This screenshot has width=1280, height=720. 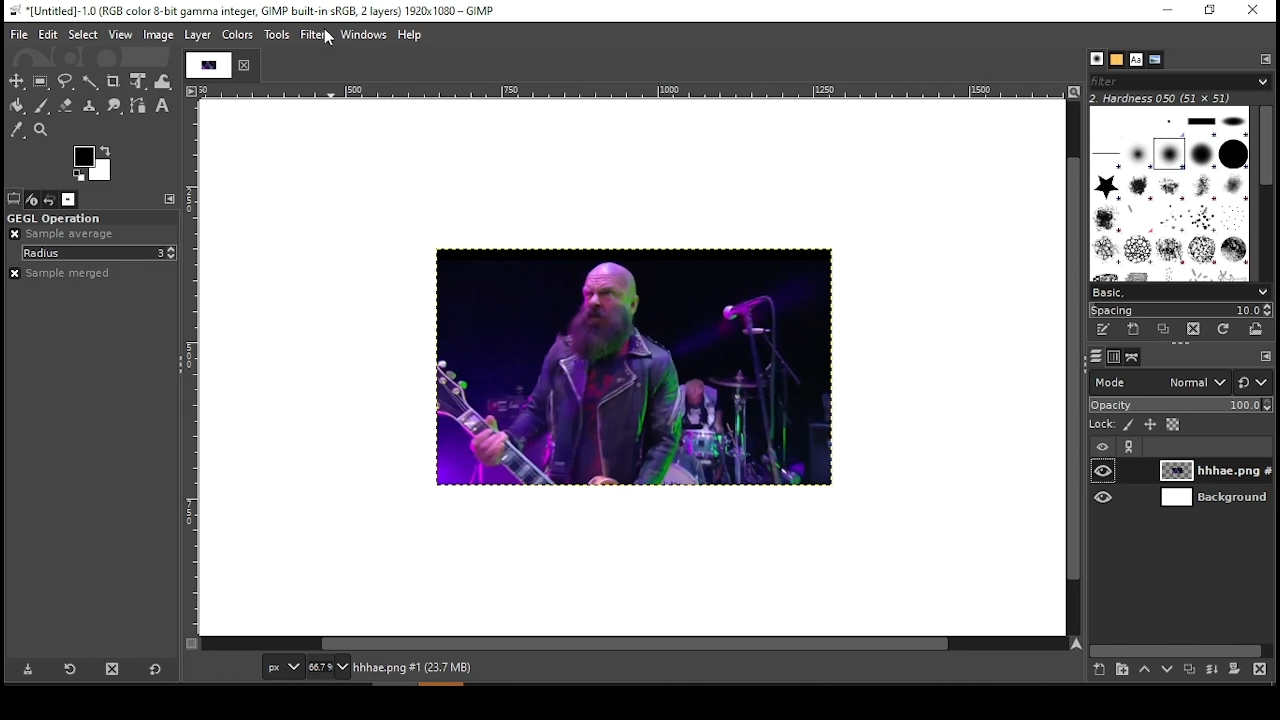 What do you see at coordinates (1134, 356) in the screenshot?
I see `paths` at bounding box center [1134, 356].